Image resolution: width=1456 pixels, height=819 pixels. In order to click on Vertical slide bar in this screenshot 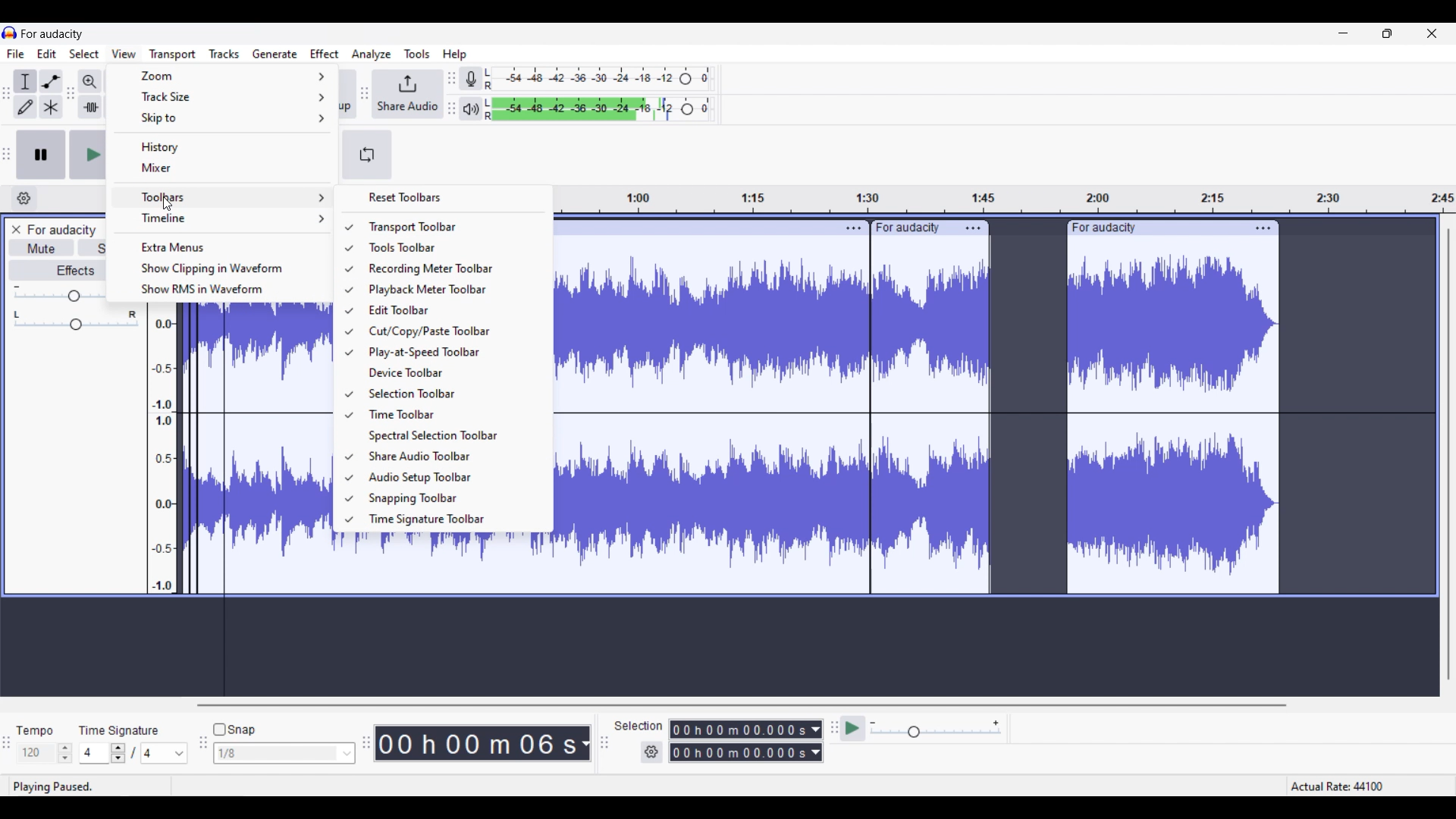, I will do `click(1448, 453)`.